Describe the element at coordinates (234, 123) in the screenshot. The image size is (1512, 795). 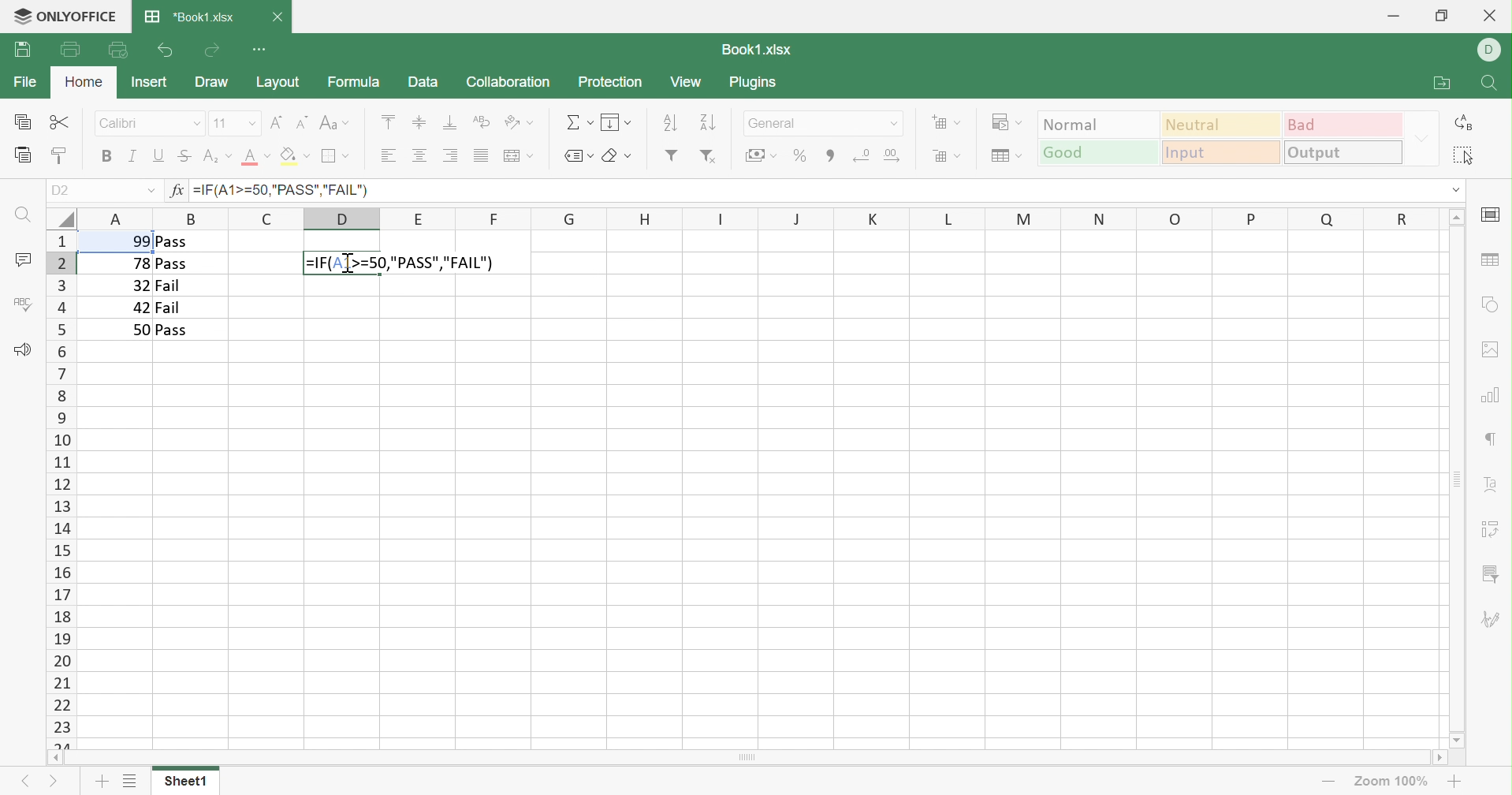
I see `Font size` at that location.